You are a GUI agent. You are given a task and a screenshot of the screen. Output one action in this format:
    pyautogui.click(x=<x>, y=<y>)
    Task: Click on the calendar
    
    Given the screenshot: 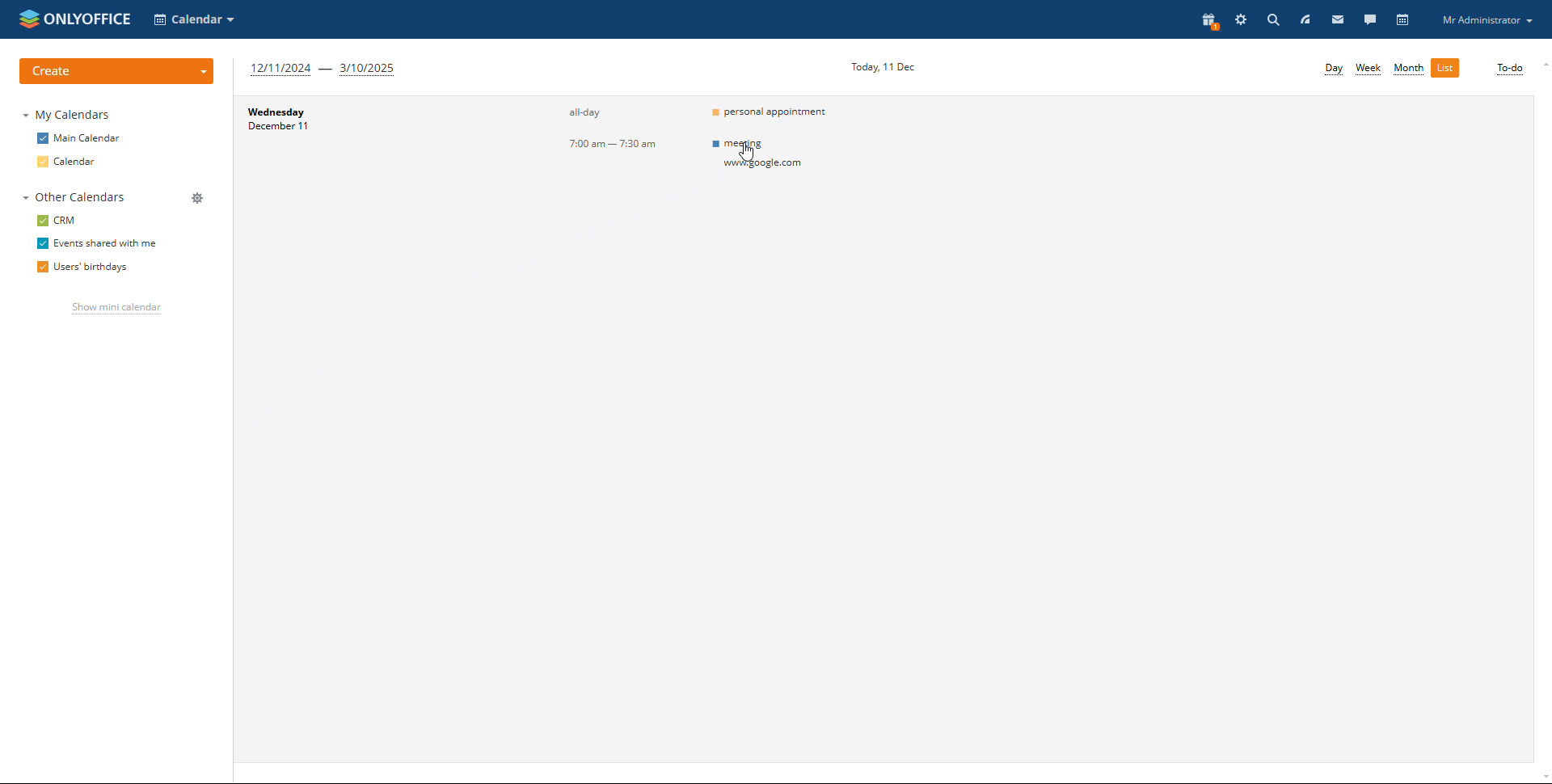 What is the action you would take?
    pyautogui.click(x=1404, y=20)
    